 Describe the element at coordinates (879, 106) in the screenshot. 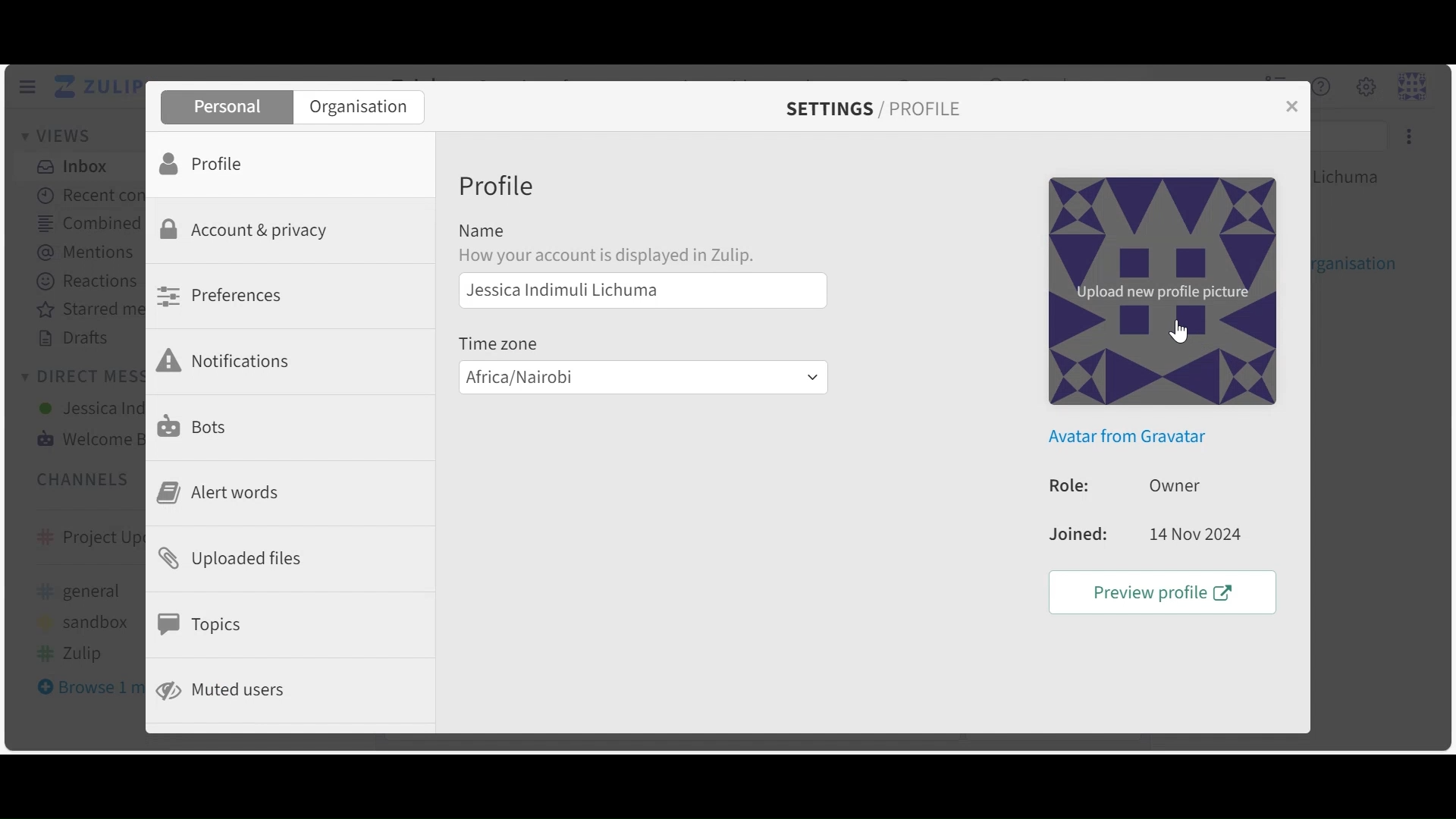

I see `Settings/Profile` at that location.